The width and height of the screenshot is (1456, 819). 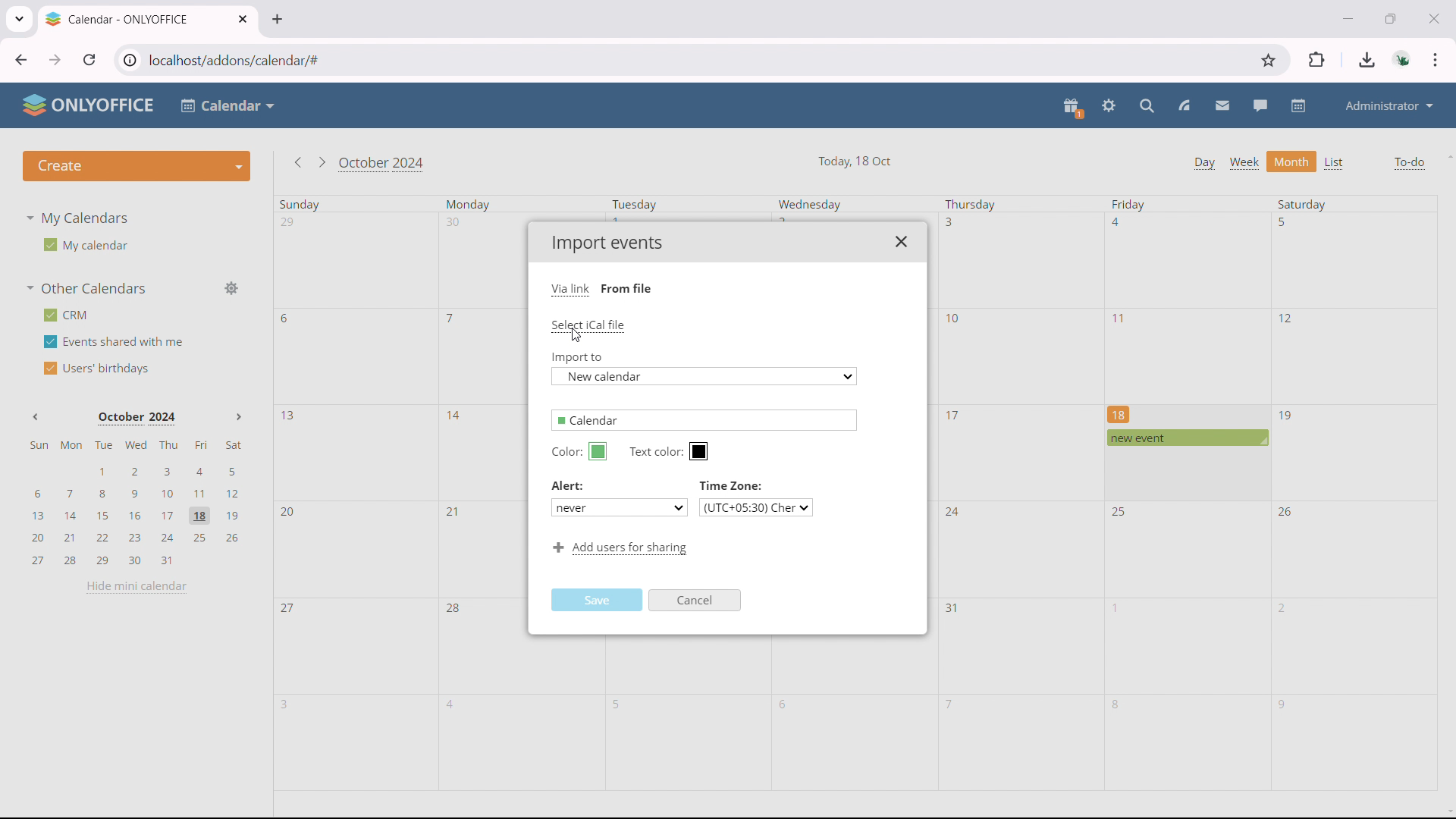 What do you see at coordinates (619, 704) in the screenshot?
I see `5` at bounding box center [619, 704].